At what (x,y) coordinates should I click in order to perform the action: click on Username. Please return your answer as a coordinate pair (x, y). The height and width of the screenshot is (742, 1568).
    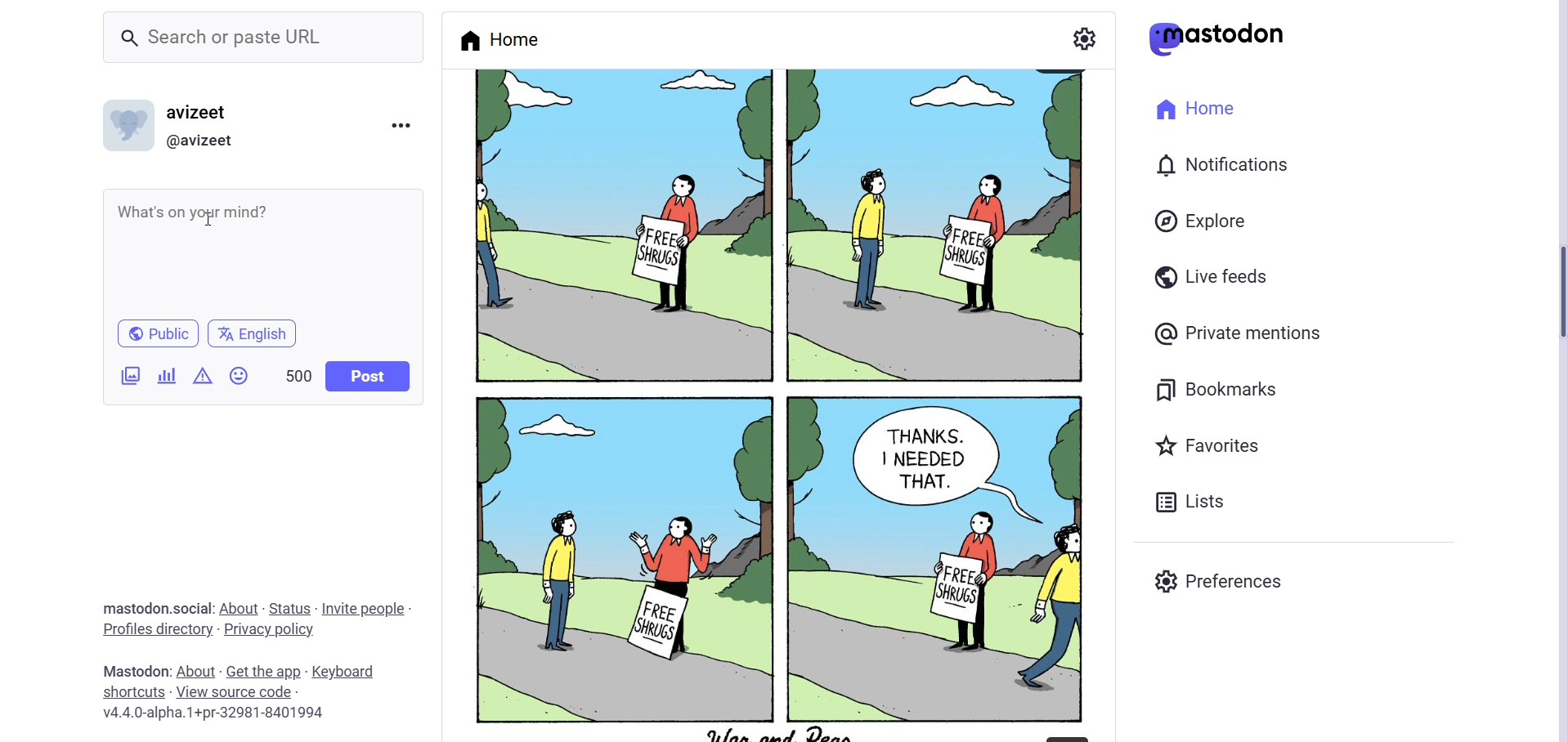
    Looking at the image, I should click on (206, 110).